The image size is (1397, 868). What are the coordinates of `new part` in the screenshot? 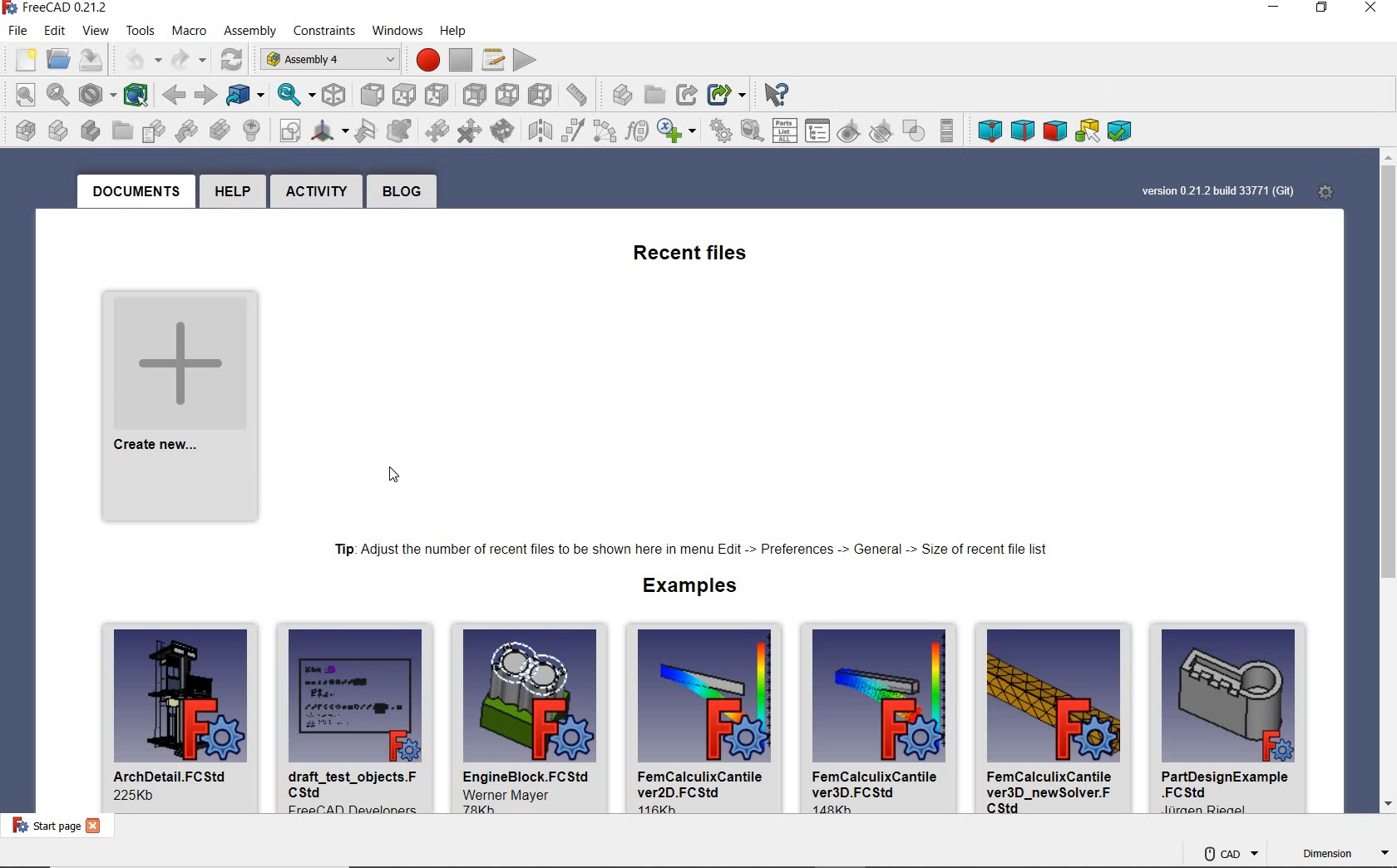 It's located at (55, 131).